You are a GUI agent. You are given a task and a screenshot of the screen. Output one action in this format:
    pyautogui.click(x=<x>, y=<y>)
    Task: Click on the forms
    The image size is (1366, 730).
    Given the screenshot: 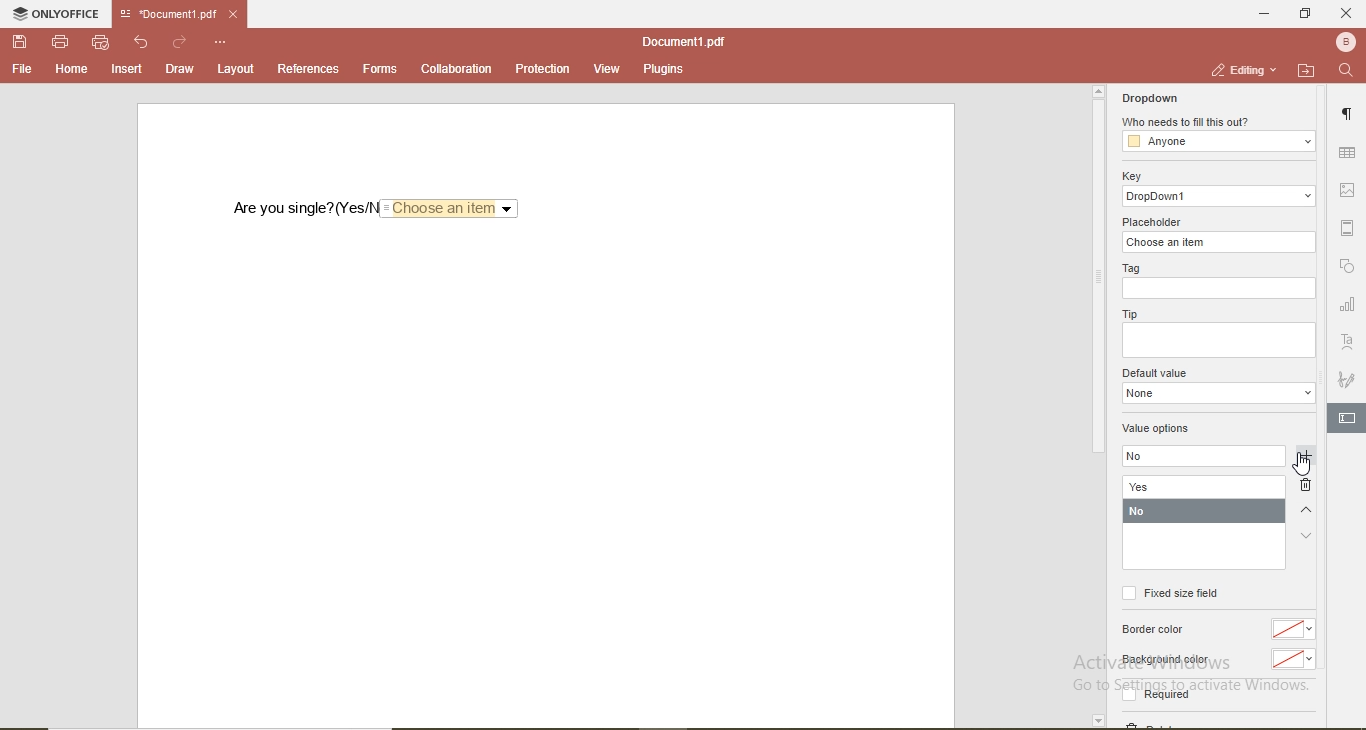 What is the action you would take?
    pyautogui.click(x=379, y=69)
    